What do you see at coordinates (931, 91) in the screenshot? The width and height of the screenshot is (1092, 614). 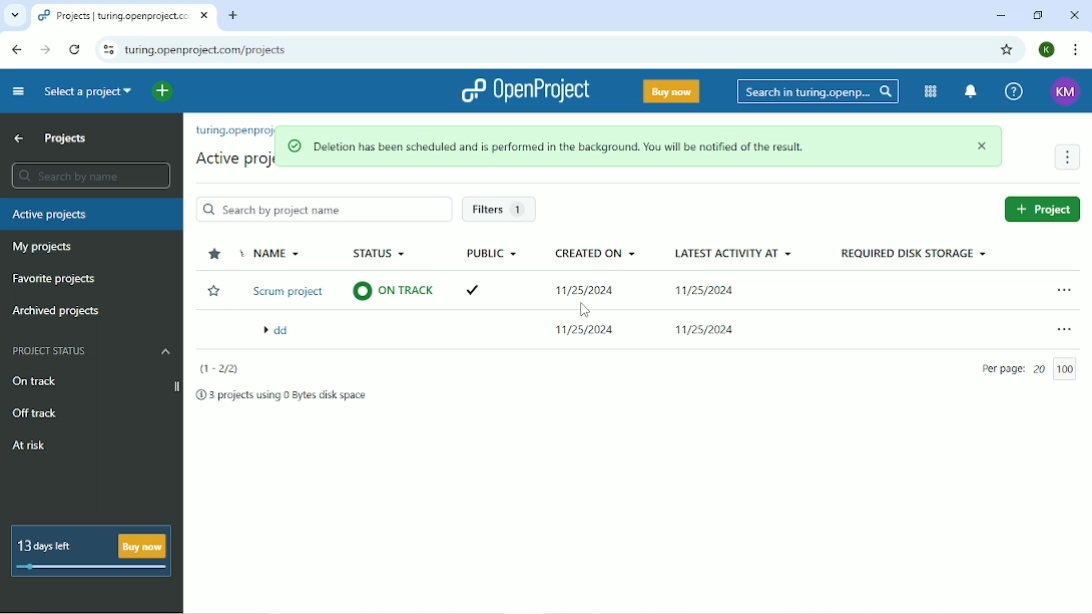 I see `Modules` at bounding box center [931, 91].